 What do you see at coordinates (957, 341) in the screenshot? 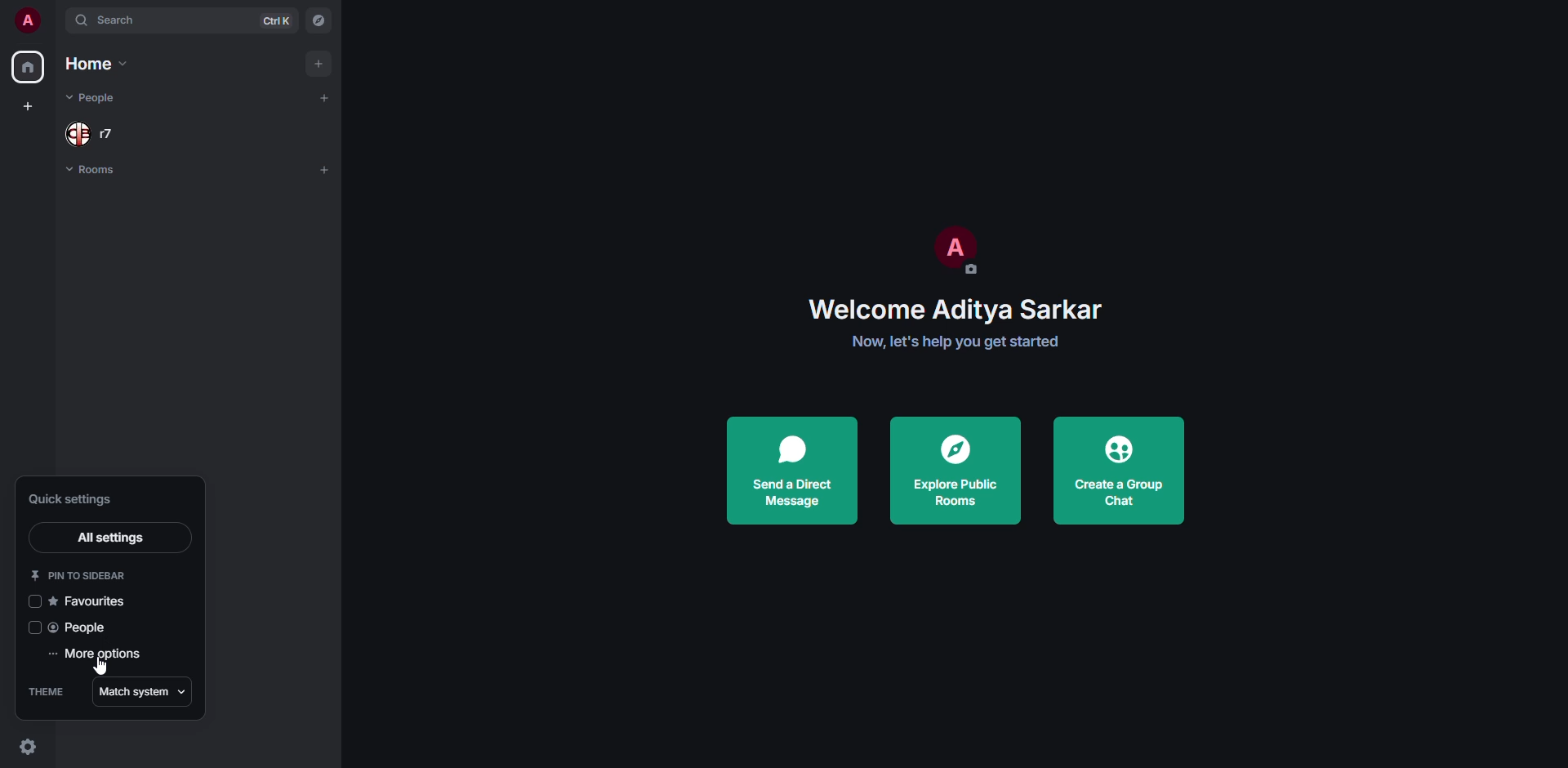
I see `get started` at bounding box center [957, 341].